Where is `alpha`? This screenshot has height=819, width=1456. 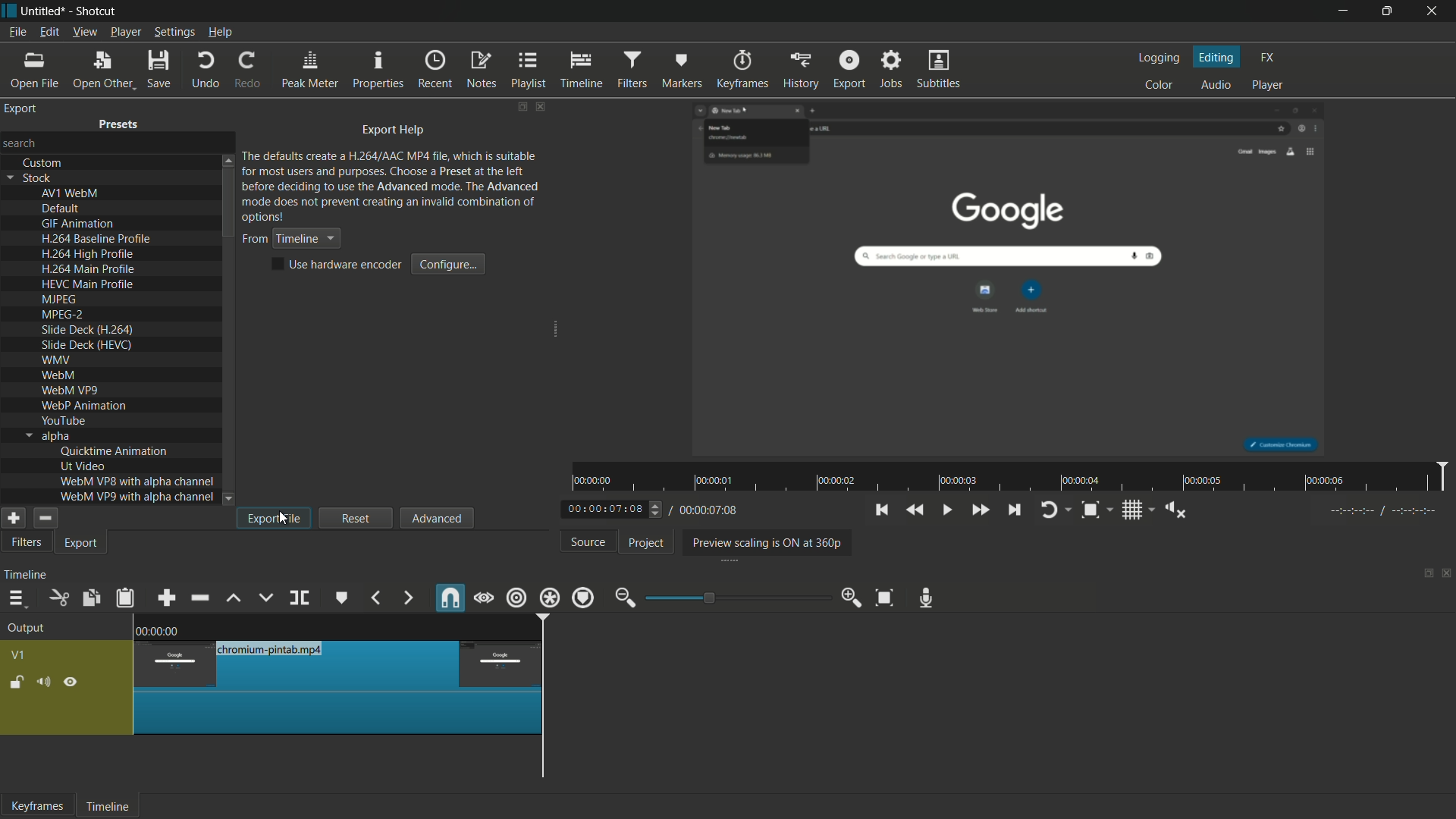 alpha is located at coordinates (58, 436).